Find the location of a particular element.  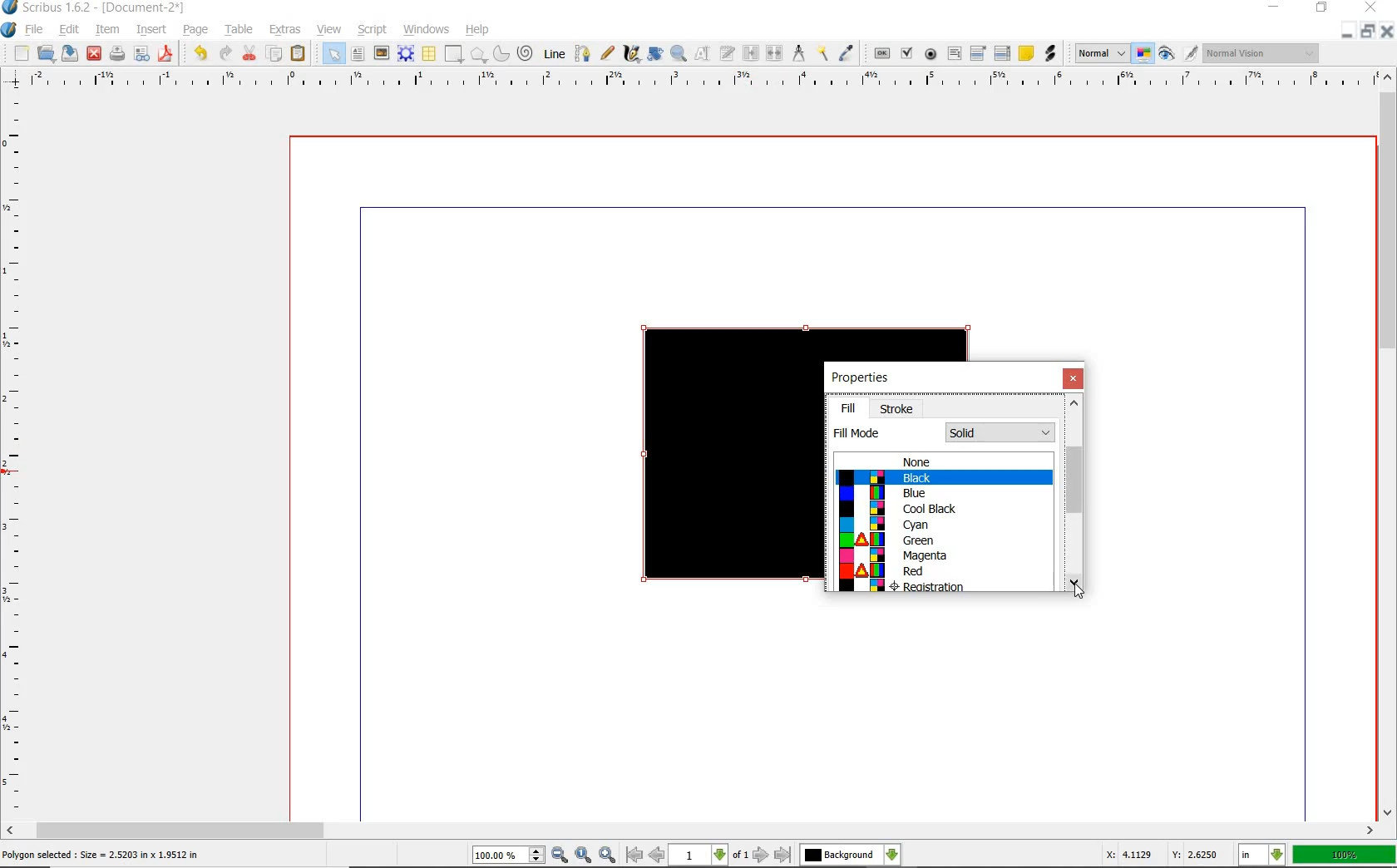

line is located at coordinates (555, 53).